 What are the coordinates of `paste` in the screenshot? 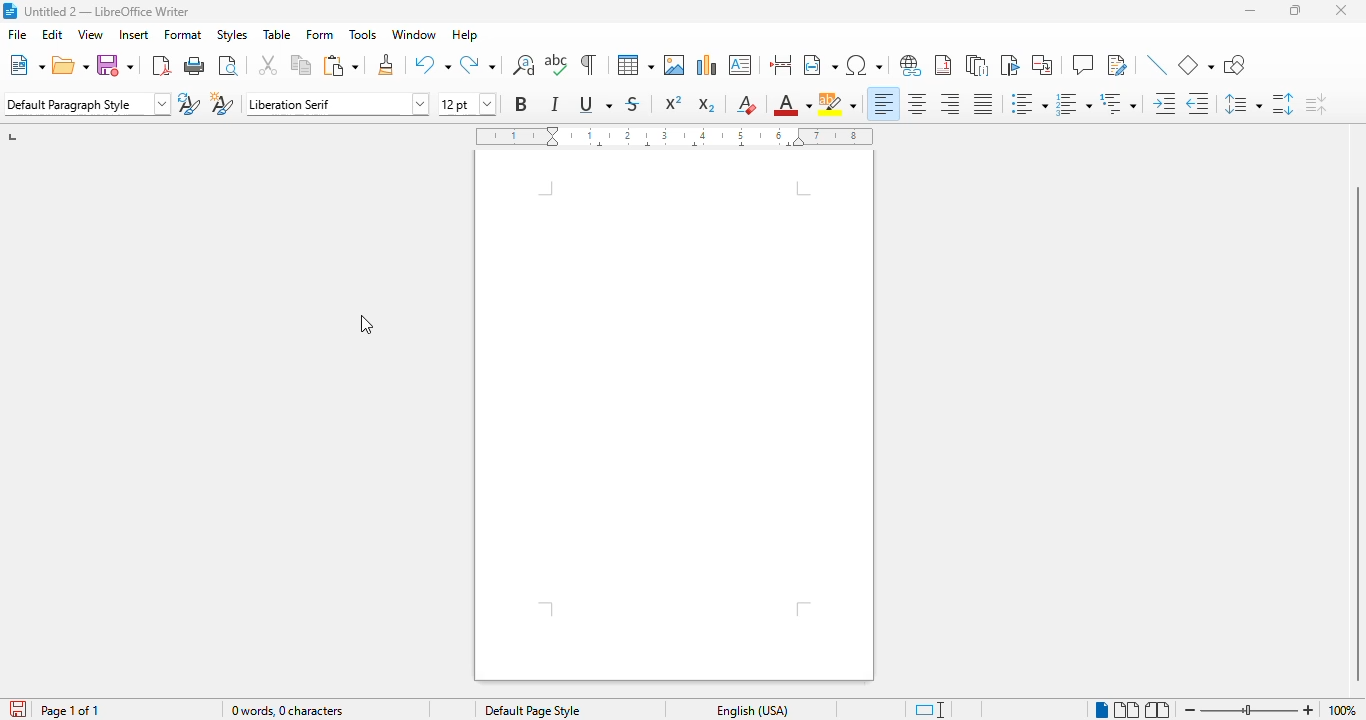 It's located at (342, 65).